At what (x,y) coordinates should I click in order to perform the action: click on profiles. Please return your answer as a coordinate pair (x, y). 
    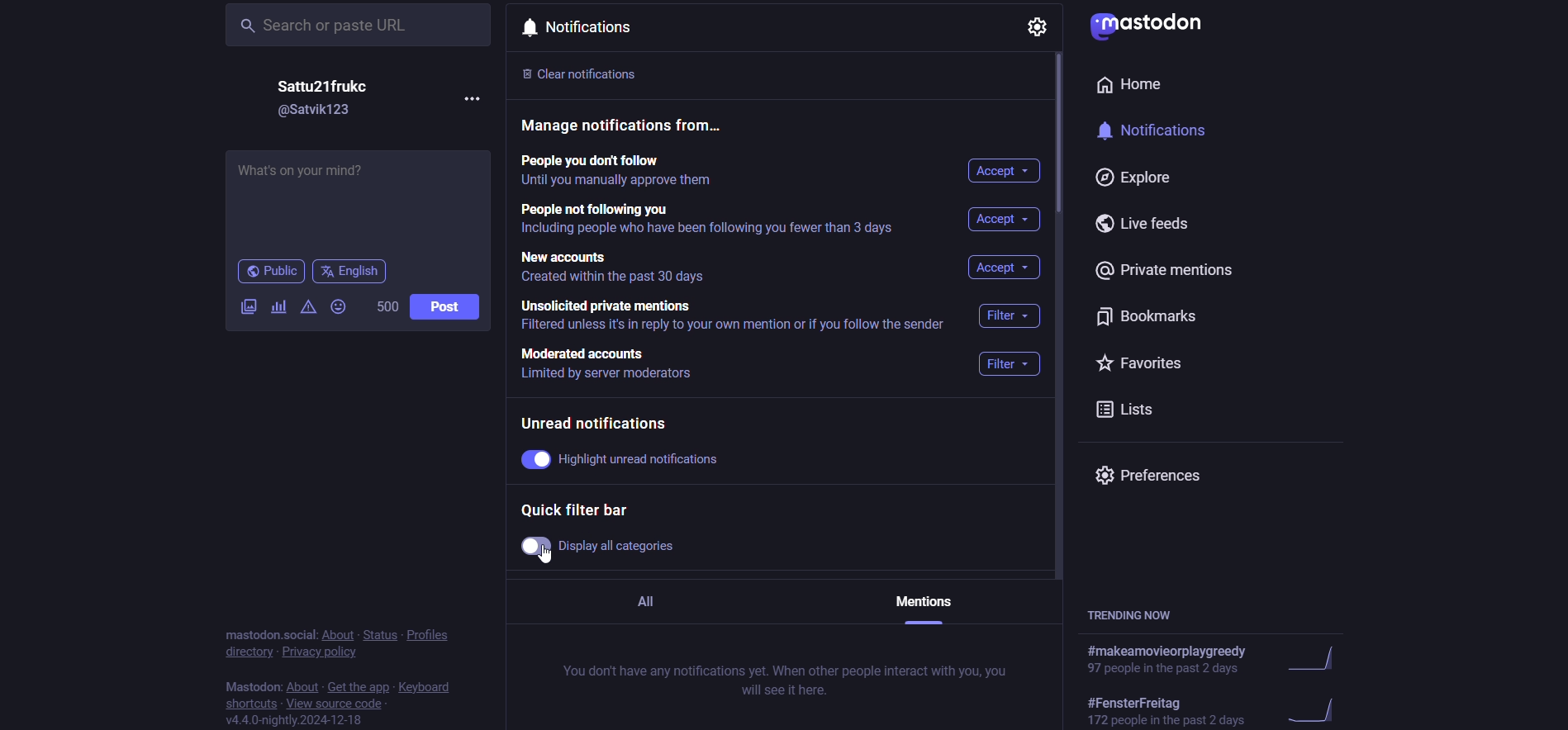
    Looking at the image, I should click on (432, 633).